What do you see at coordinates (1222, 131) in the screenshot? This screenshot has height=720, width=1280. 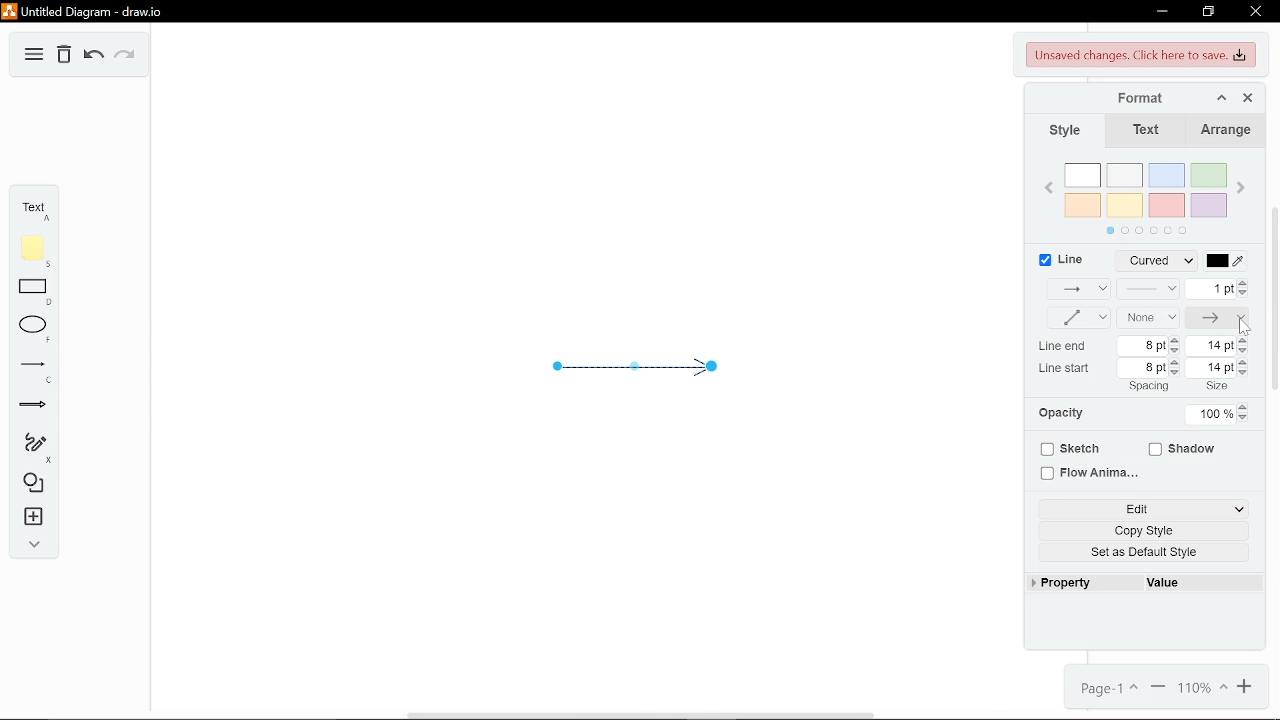 I see `Arrange` at bounding box center [1222, 131].